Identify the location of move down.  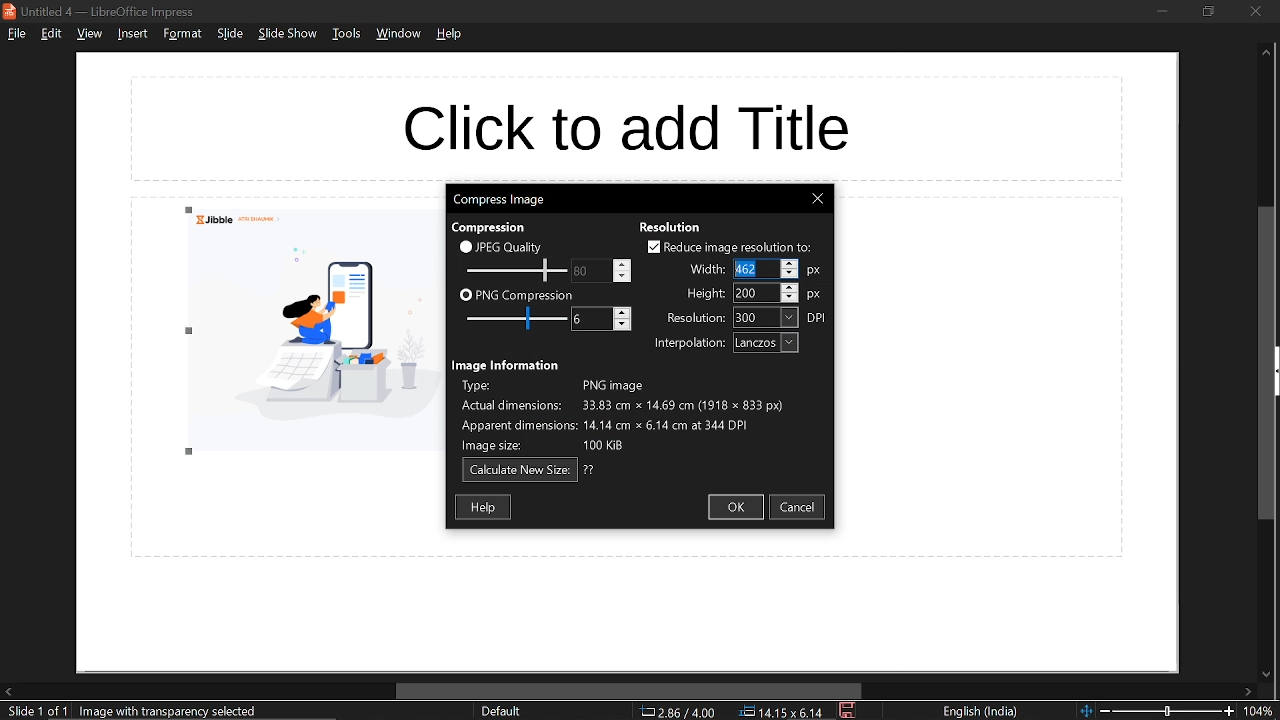
(1264, 675).